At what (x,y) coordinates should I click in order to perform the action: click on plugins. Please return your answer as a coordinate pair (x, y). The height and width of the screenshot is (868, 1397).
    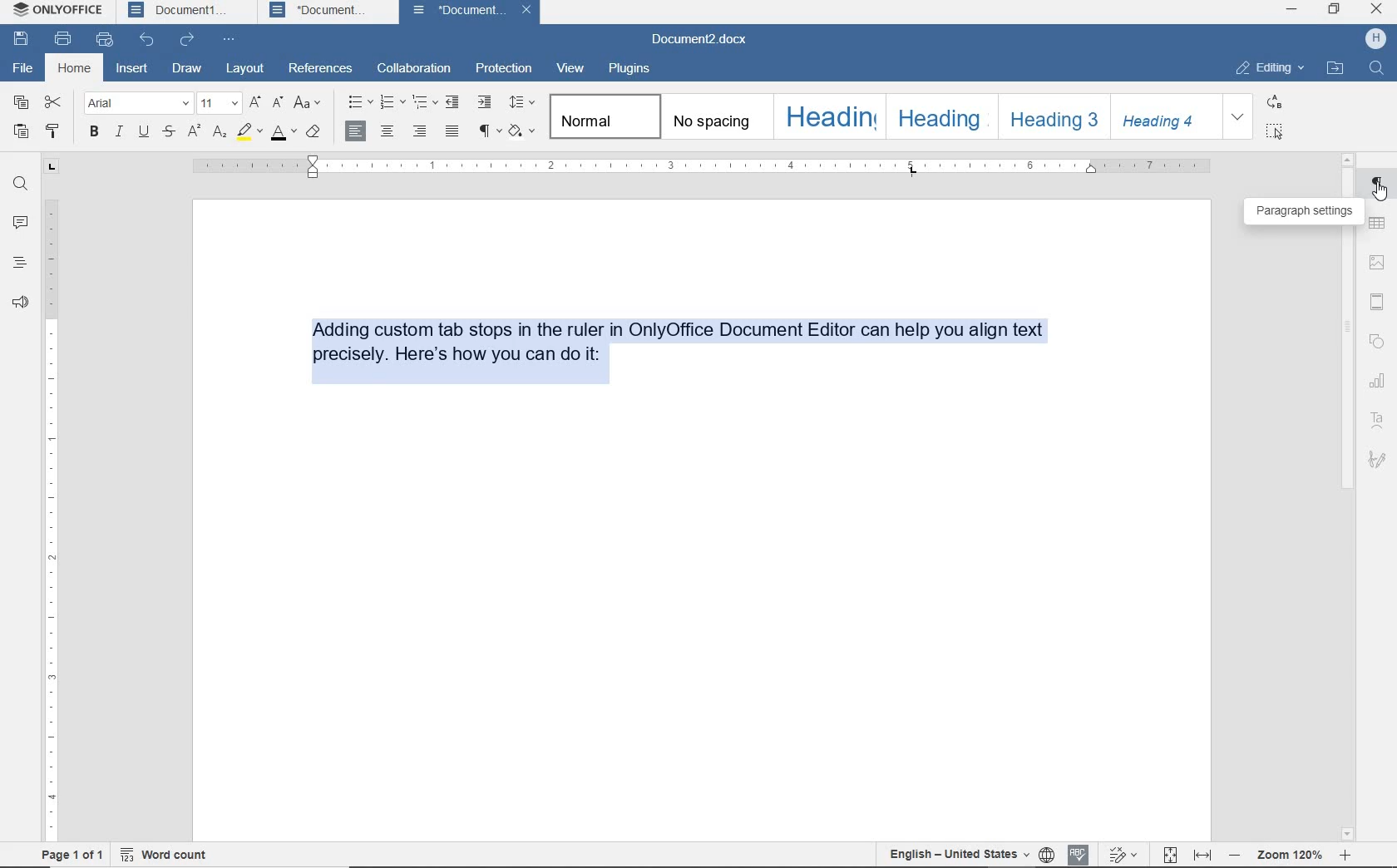
    Looking at the image, I should click on (633, 71).